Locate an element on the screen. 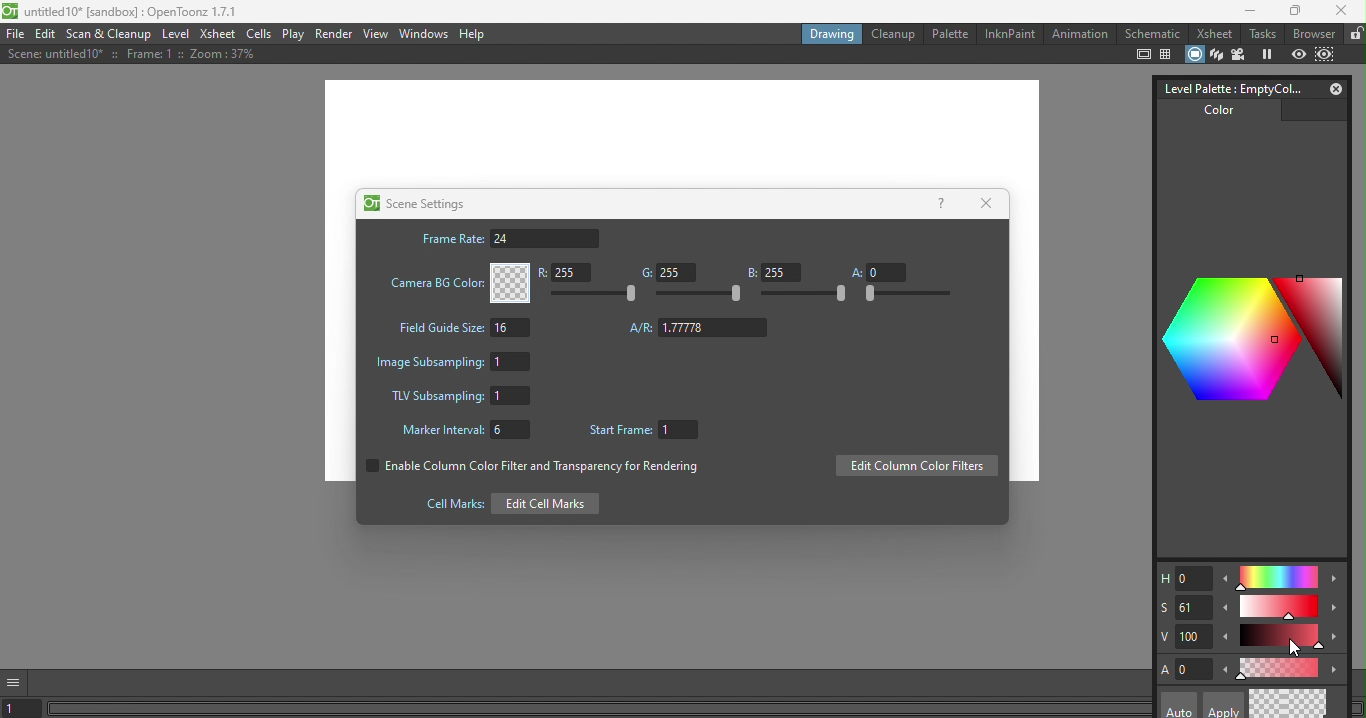  B is located at coordinates (773, 272).